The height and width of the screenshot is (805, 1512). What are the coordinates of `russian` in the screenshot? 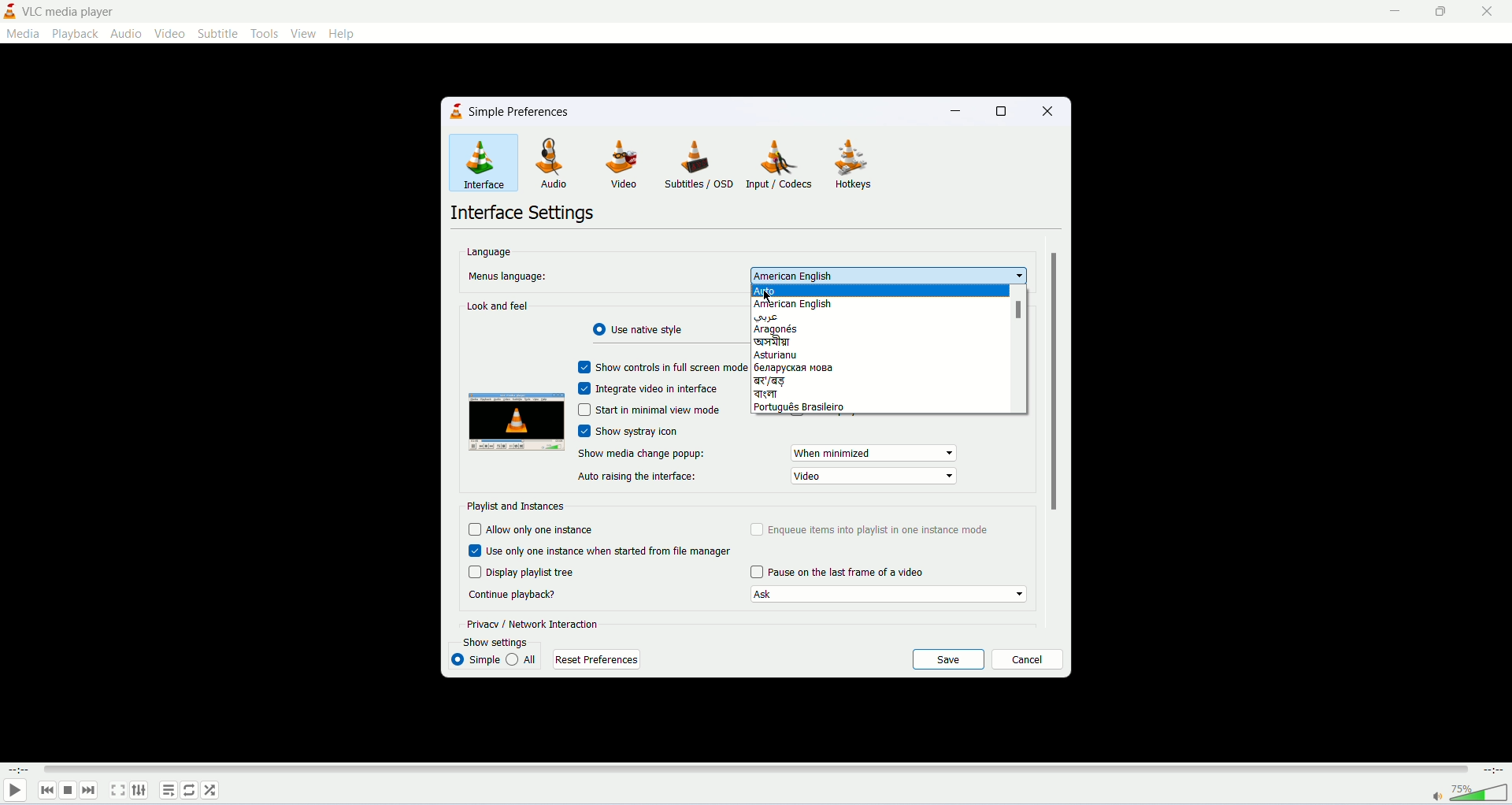 It's located at (881, 367).